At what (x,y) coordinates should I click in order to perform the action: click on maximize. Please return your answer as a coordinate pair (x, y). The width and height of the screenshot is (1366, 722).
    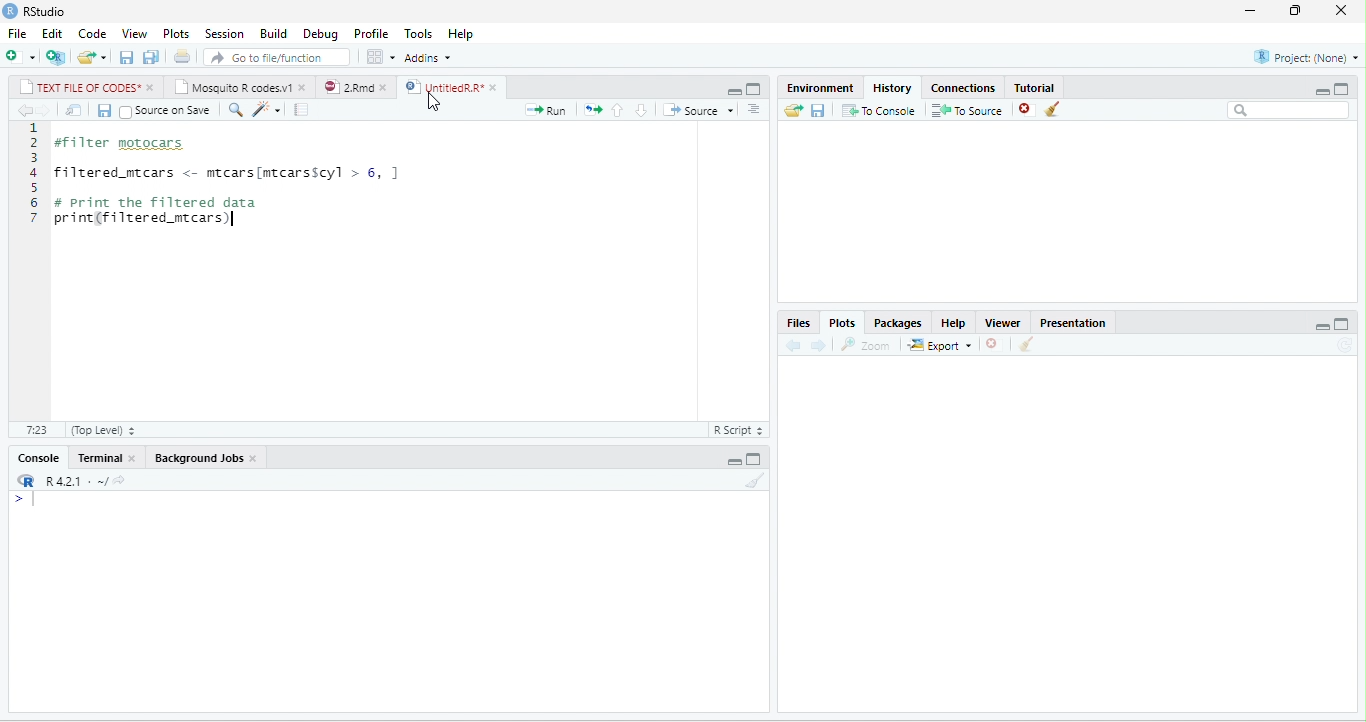
    Looking at the image, I should click on (1341, 89).